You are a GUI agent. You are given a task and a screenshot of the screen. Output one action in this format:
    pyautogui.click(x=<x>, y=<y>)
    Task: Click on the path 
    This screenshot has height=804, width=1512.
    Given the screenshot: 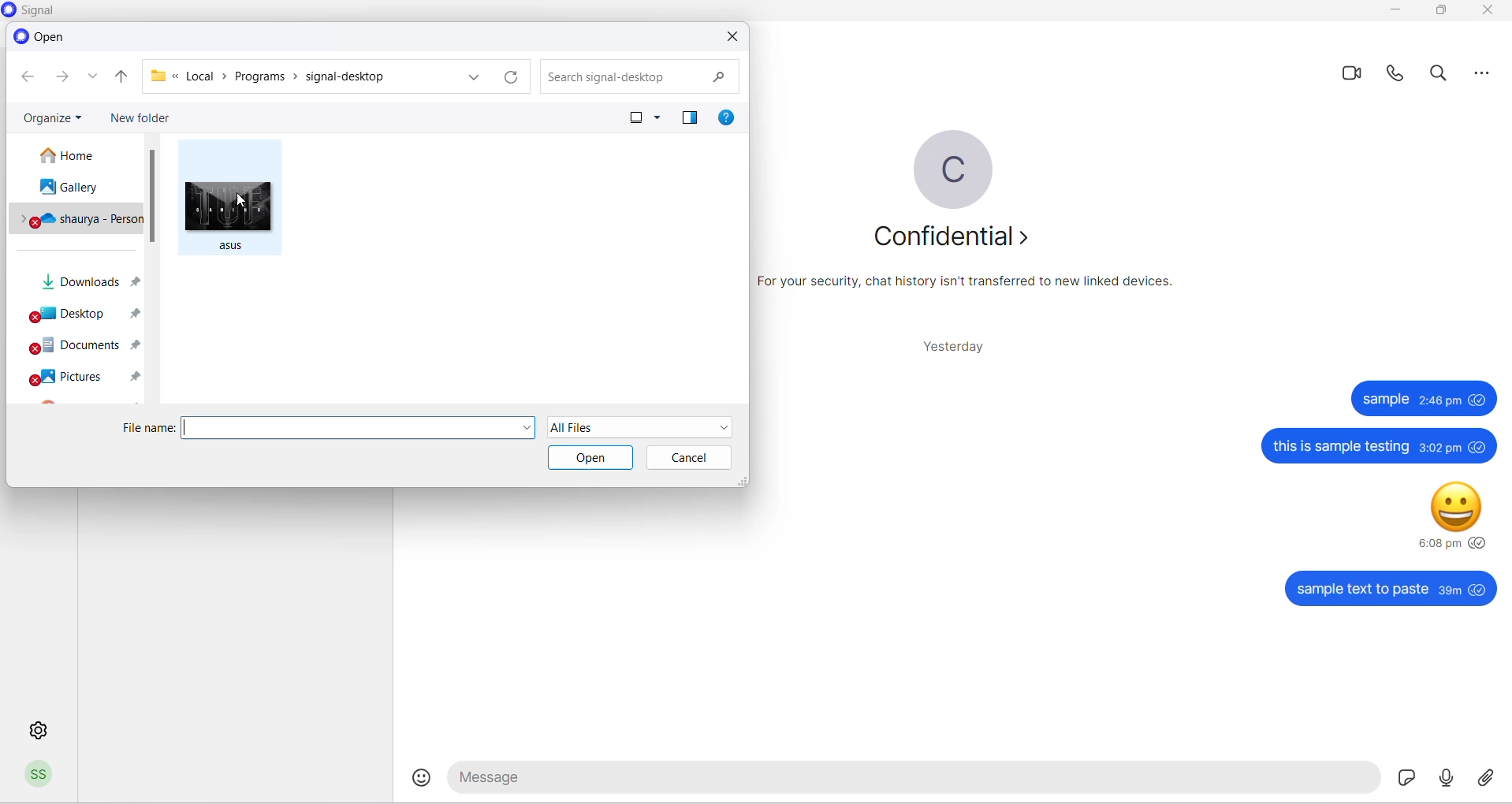 What is the action you would take?
    pyautogui.click(x=296, y=76)
    